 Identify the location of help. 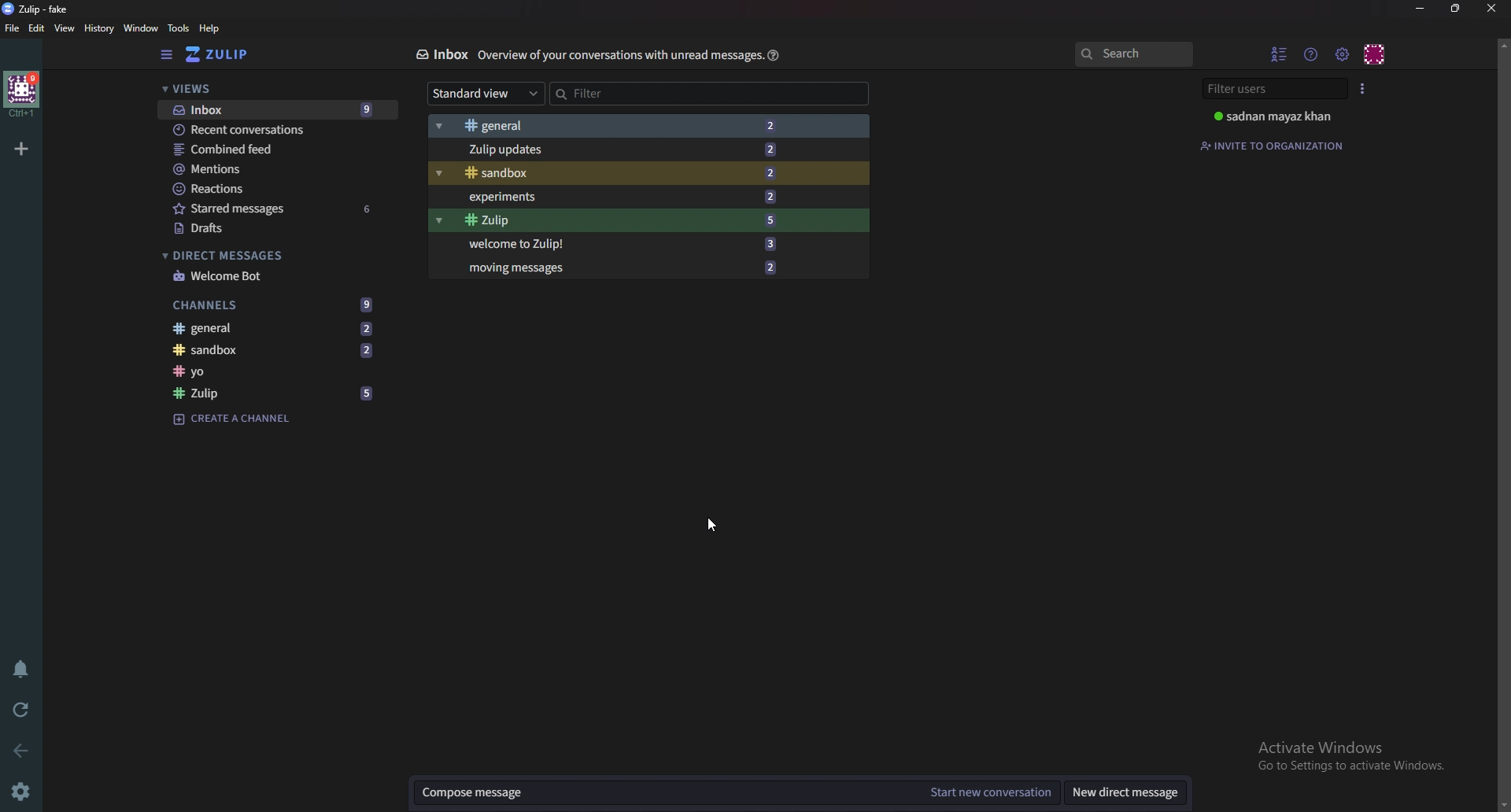
(775, 57).